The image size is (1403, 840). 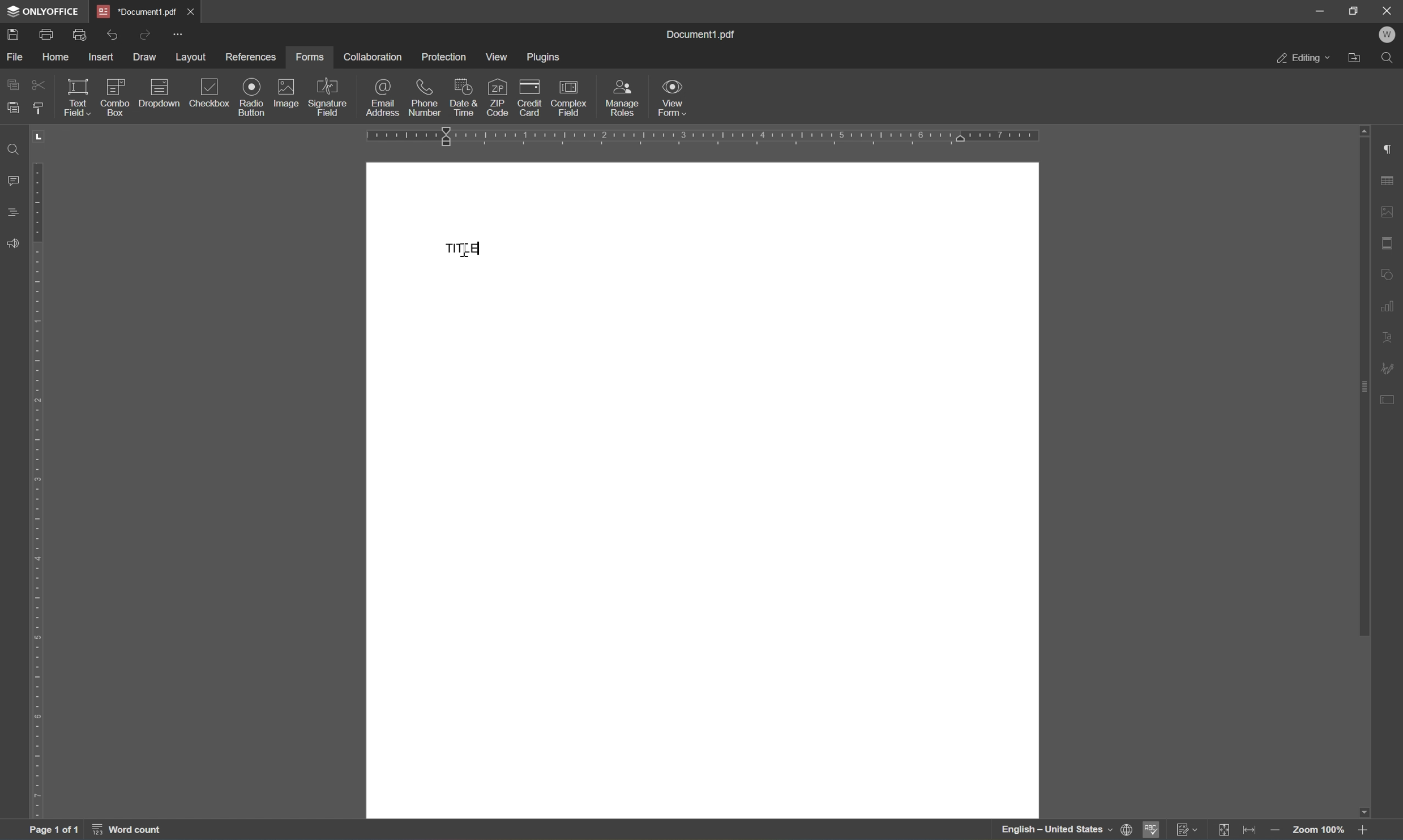 What do you see at coordinates (1388, 368) in the screenshot?
I see `signature settings` at bounding box center [1388, 368].